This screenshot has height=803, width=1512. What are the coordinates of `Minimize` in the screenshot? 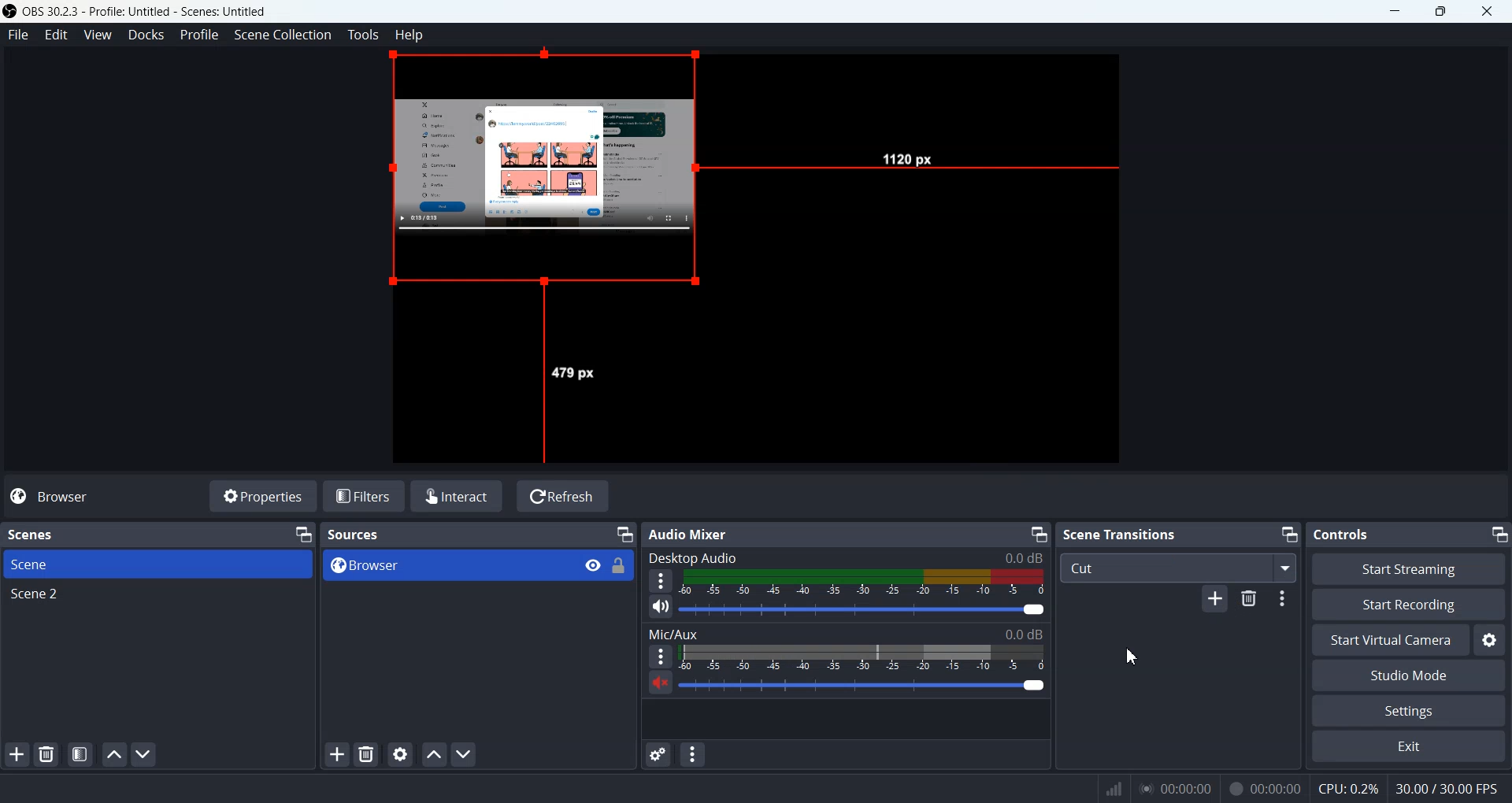 It's located at (1395, 11).